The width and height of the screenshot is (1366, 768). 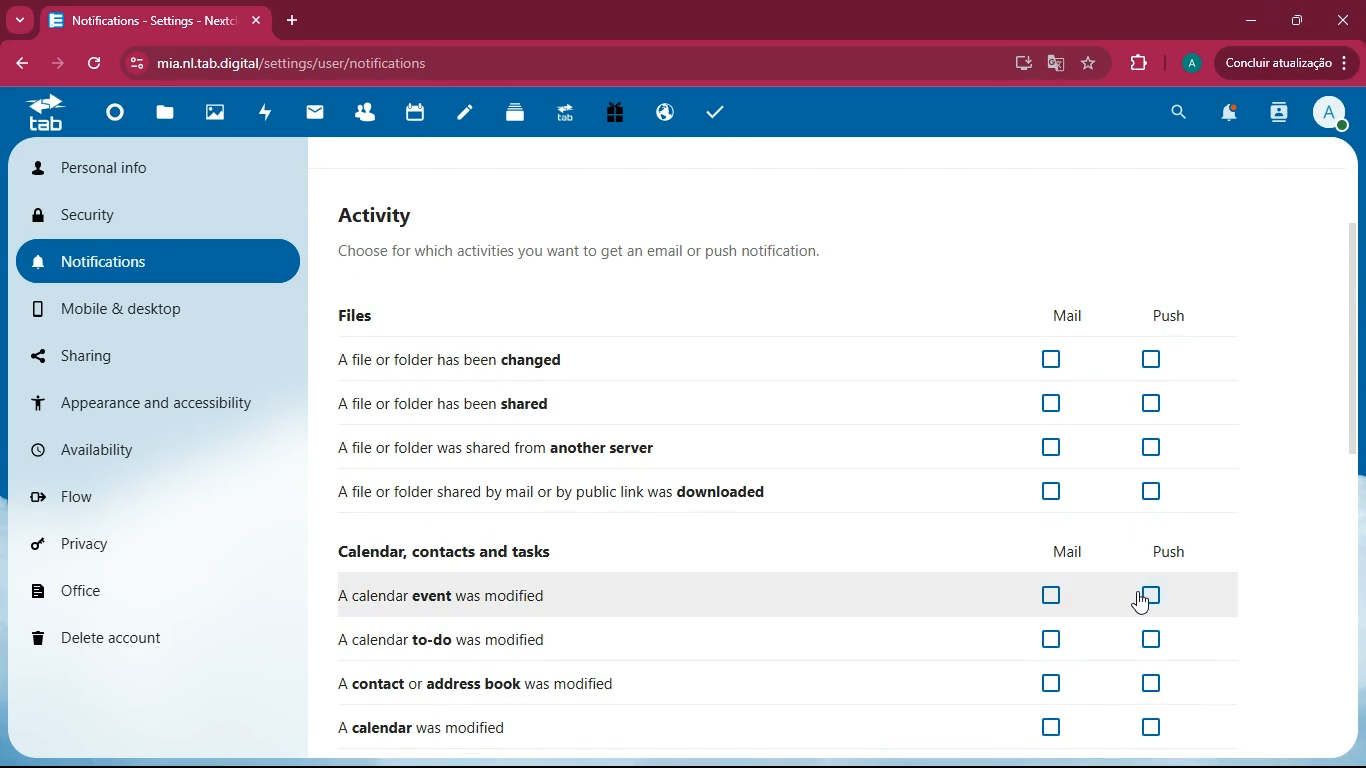 What do you see at coordinates (1147, 605) in the screenshot?
I see `cursor` at bounding box center [1147, 605].